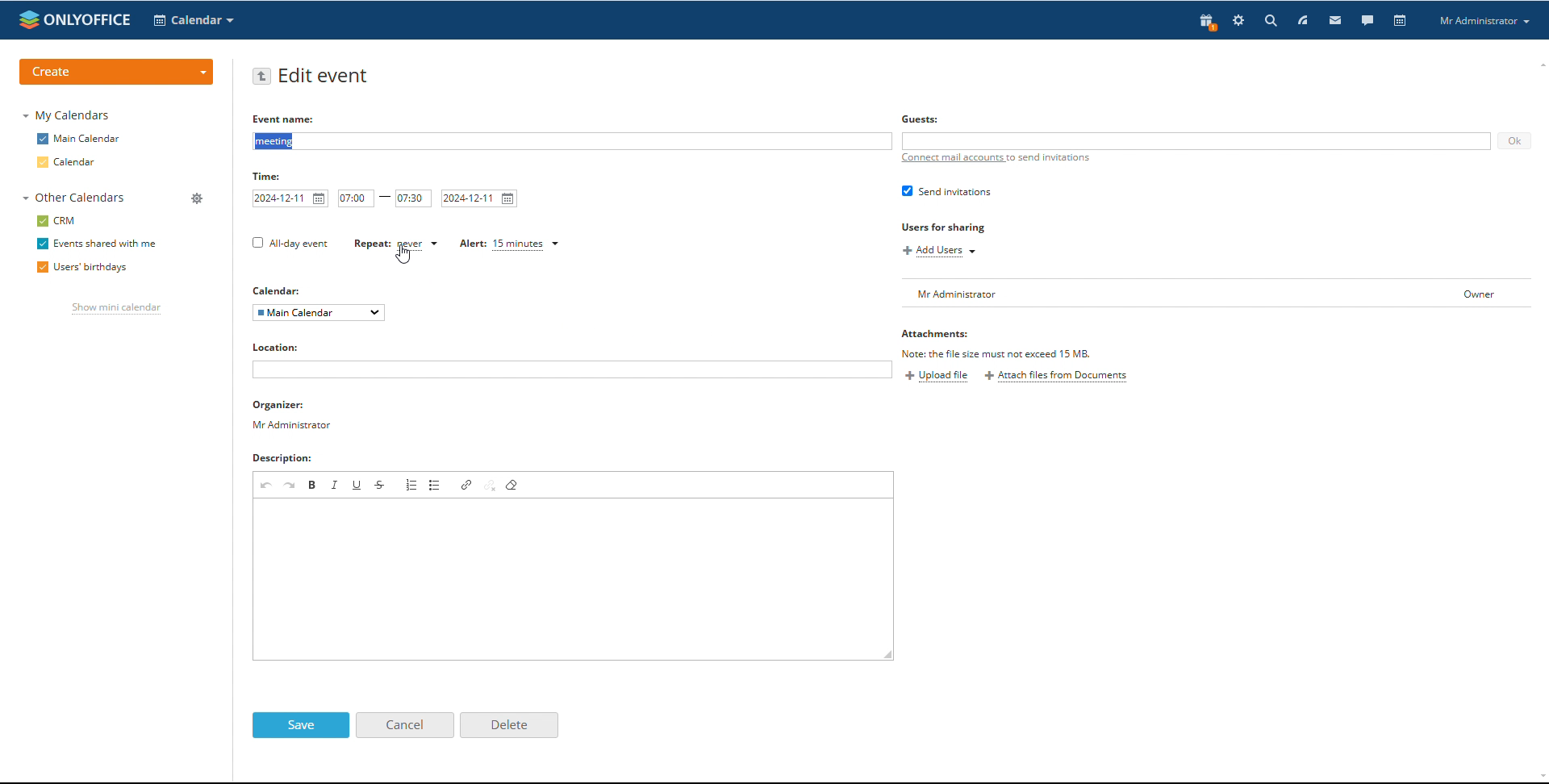 The width and height of the screenshot is (1549, 784). Describe the element at coordinates (1215, 293) in the screenshot. I see `user list` at that location.